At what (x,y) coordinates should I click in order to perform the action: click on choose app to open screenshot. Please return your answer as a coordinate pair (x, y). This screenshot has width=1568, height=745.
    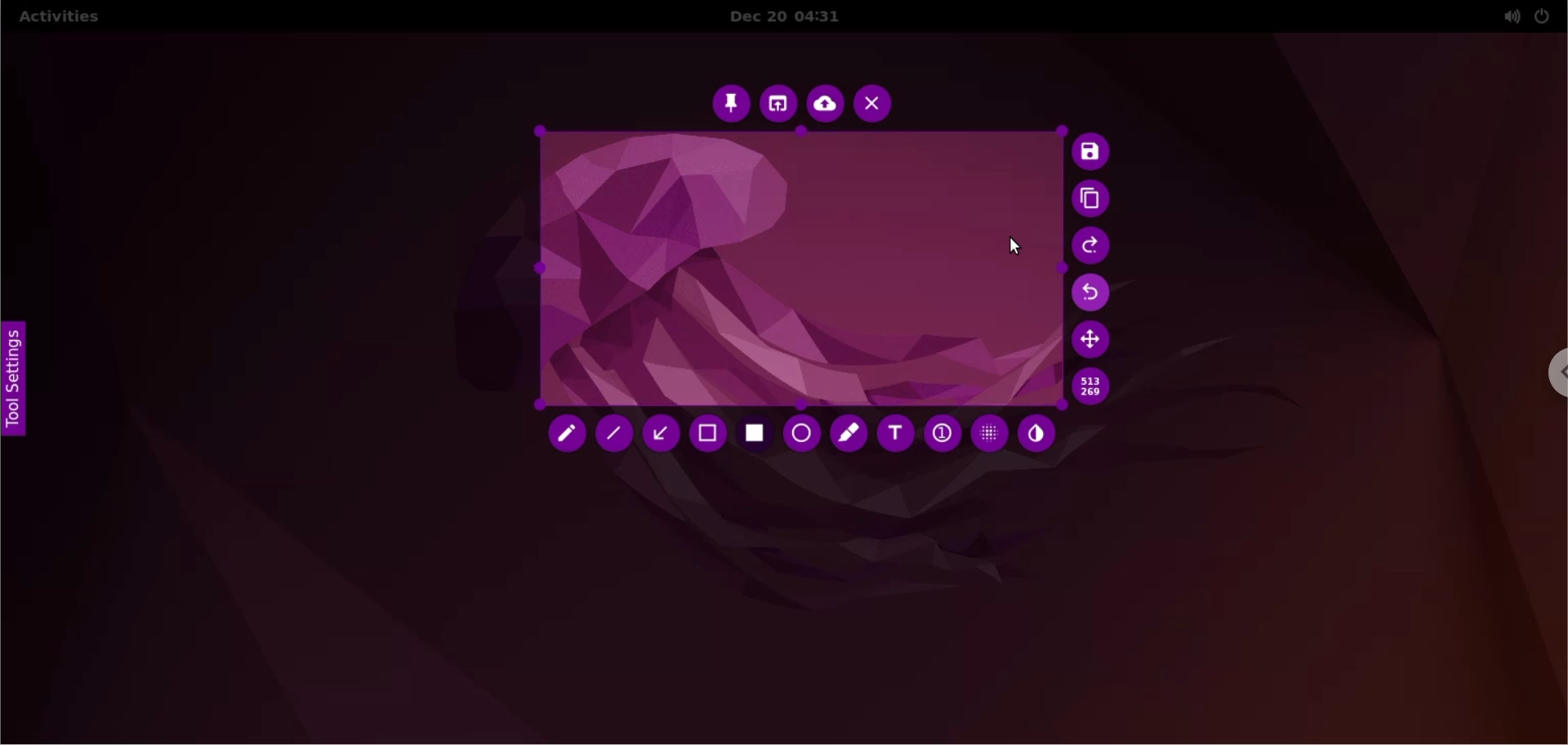
    Looking at the image, I should click on (777, 102).